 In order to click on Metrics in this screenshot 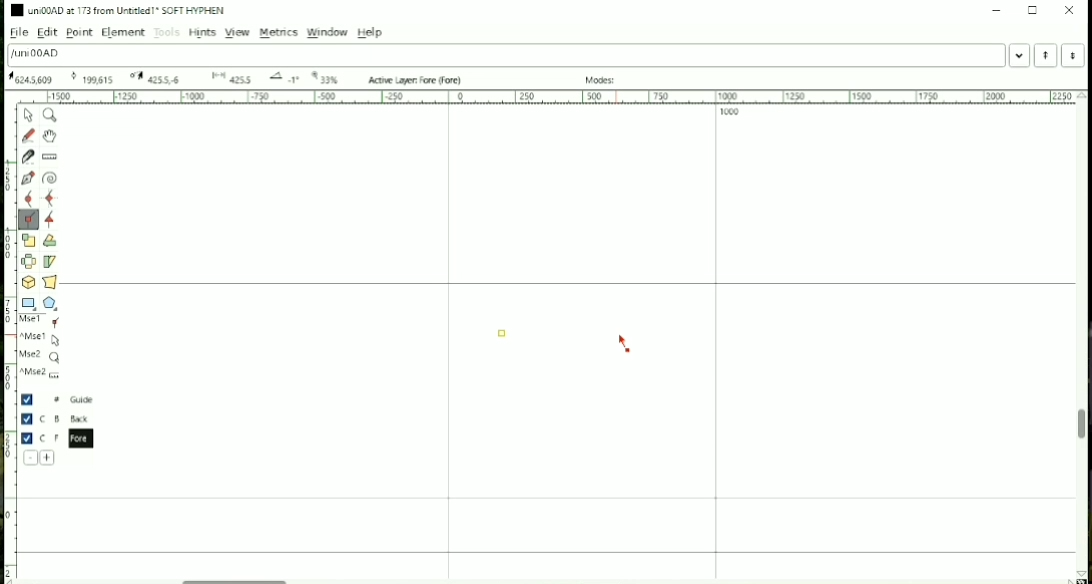, I will do `click(279, 33)`.